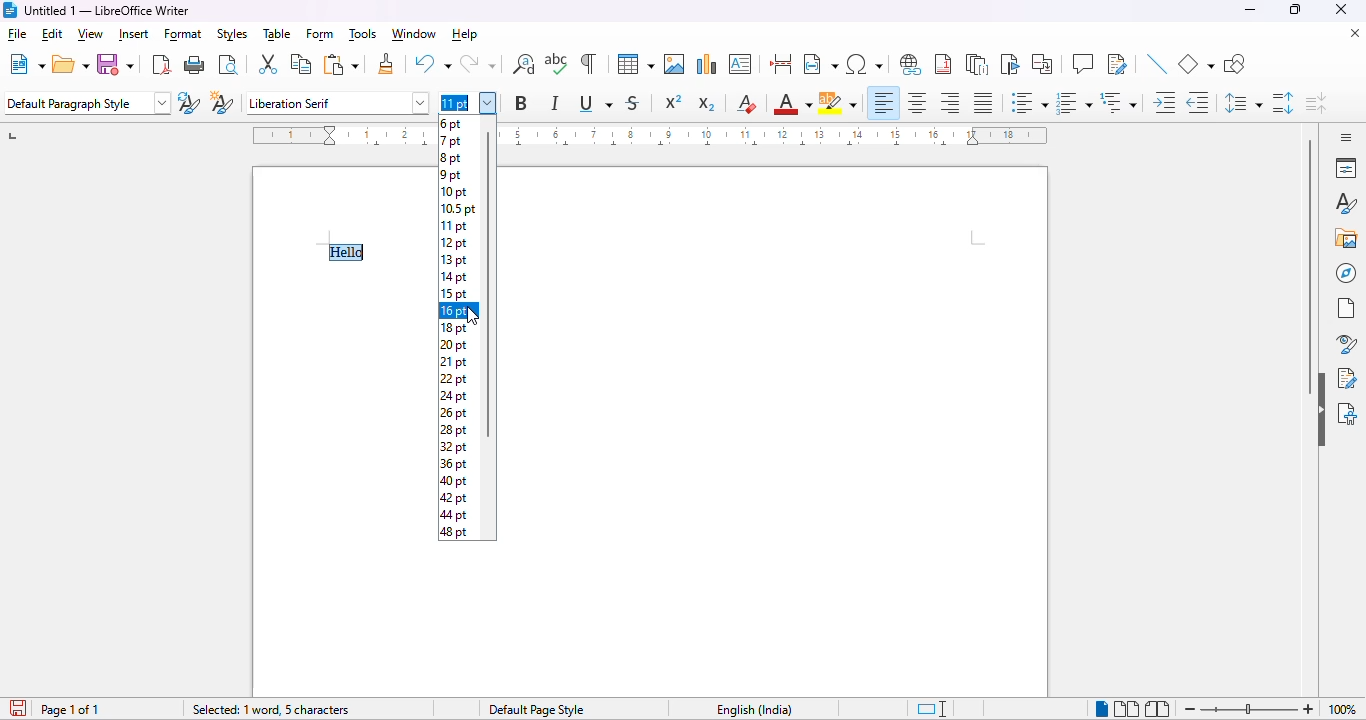 The width and height of the screenshot is (1366, 720). What do you see at coordinates (91, 34) in the screenshot?
I see `view` at bounding box center [91, 34].